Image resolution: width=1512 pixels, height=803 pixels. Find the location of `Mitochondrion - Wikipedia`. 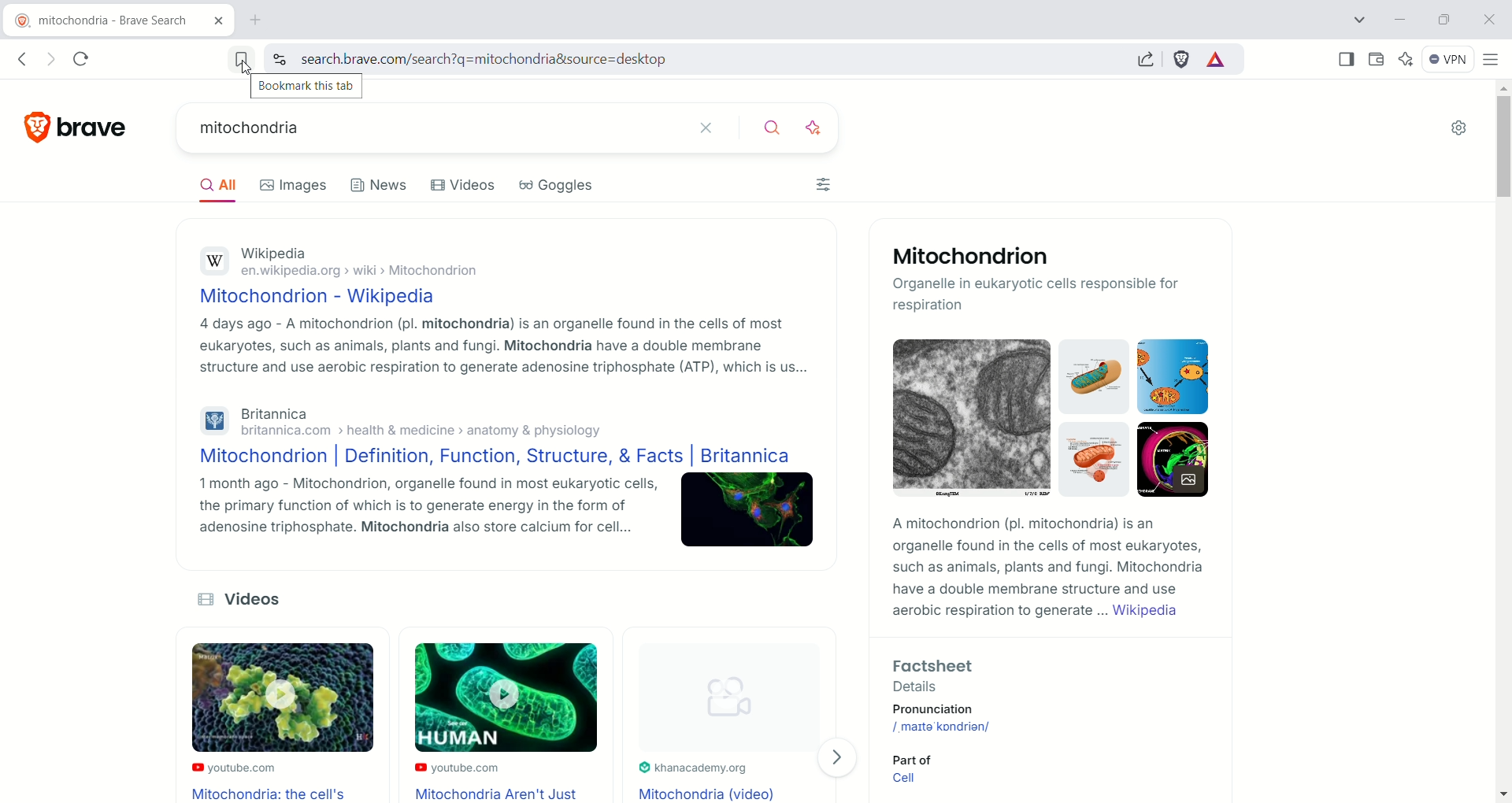

Mitochondrion - Wikipedia is located at coordinates (316, 294).